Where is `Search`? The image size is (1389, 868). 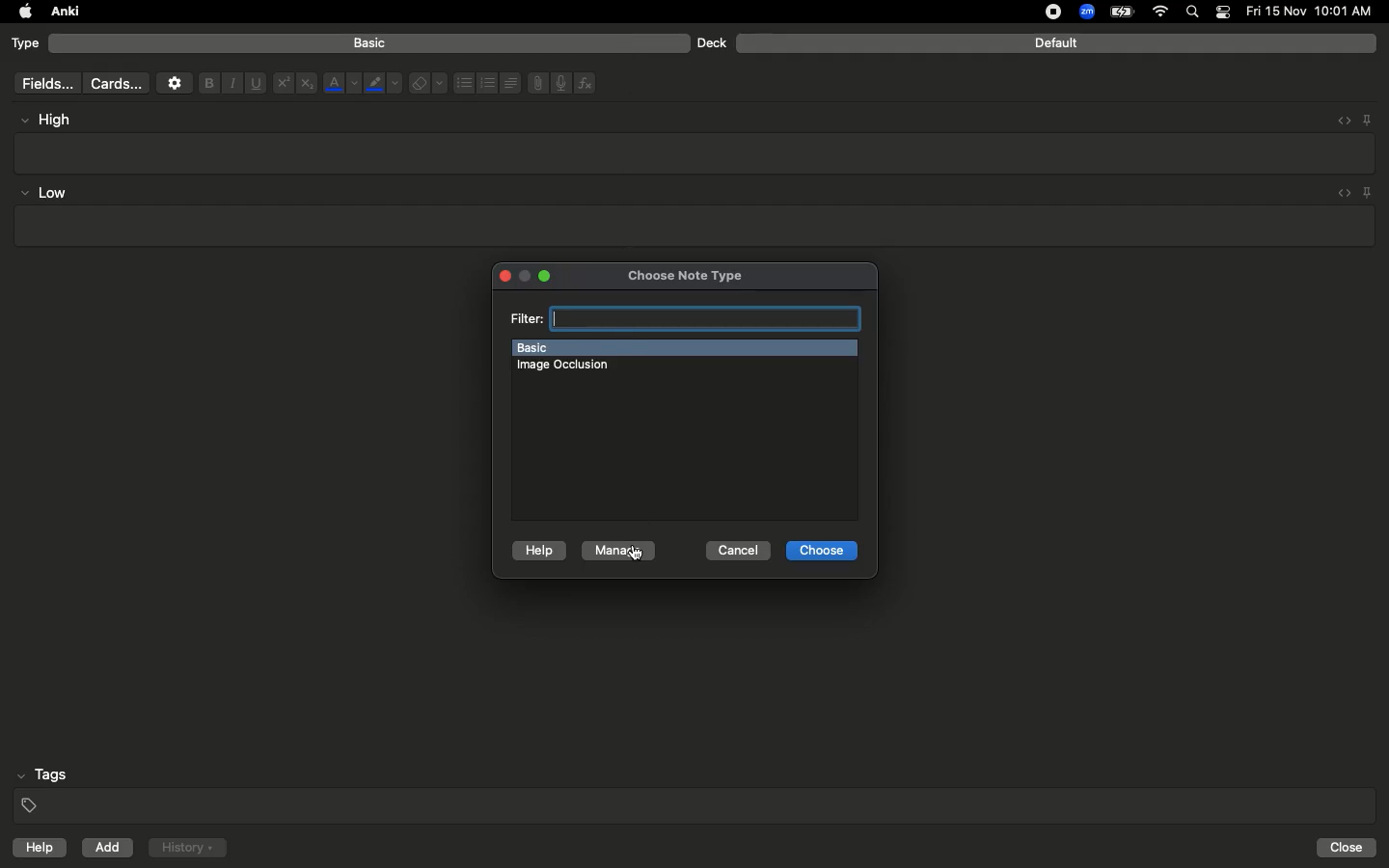
Search is located at coordinates (1195, 13).